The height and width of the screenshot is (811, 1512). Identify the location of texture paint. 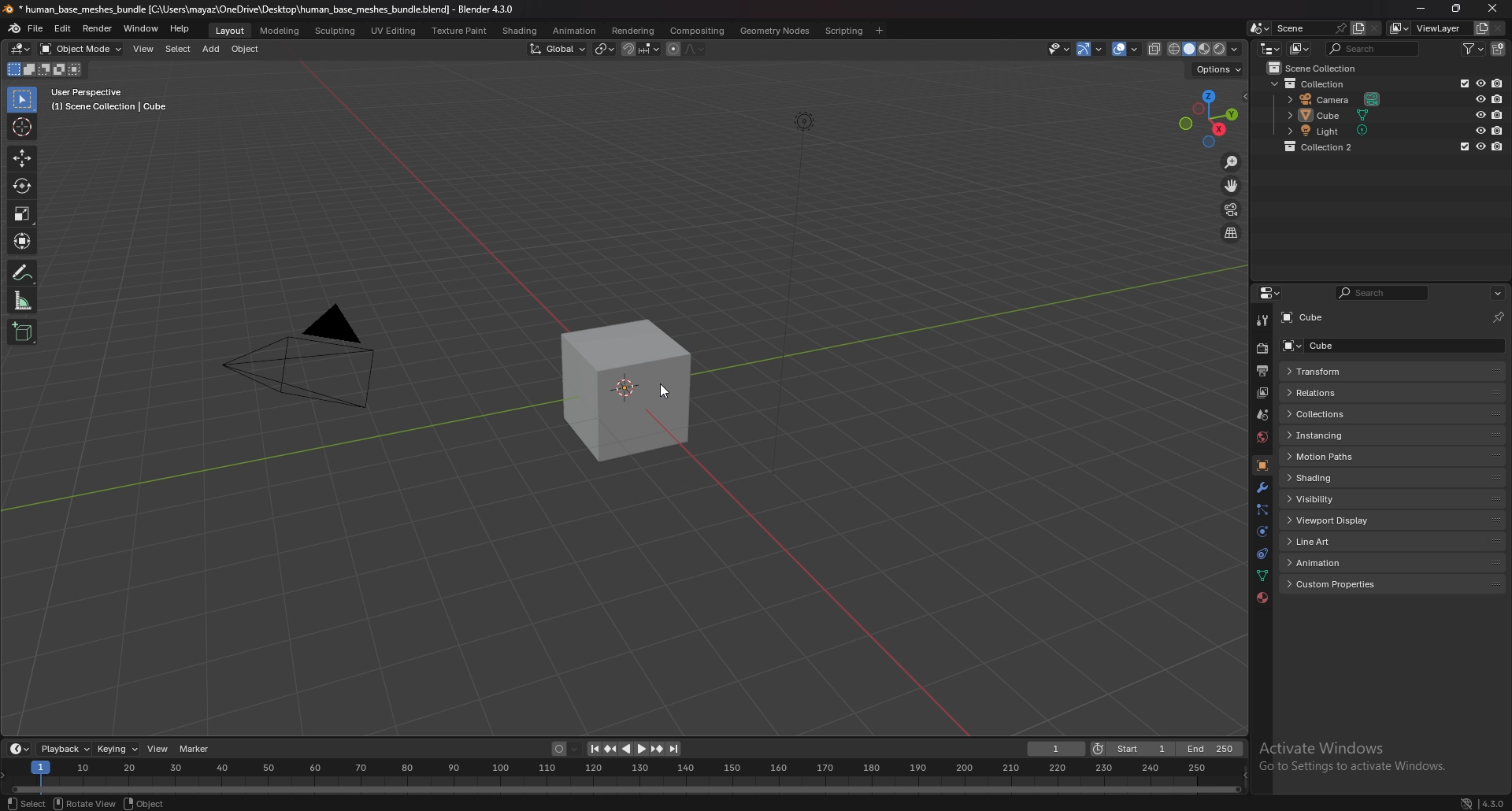
(461, 31).